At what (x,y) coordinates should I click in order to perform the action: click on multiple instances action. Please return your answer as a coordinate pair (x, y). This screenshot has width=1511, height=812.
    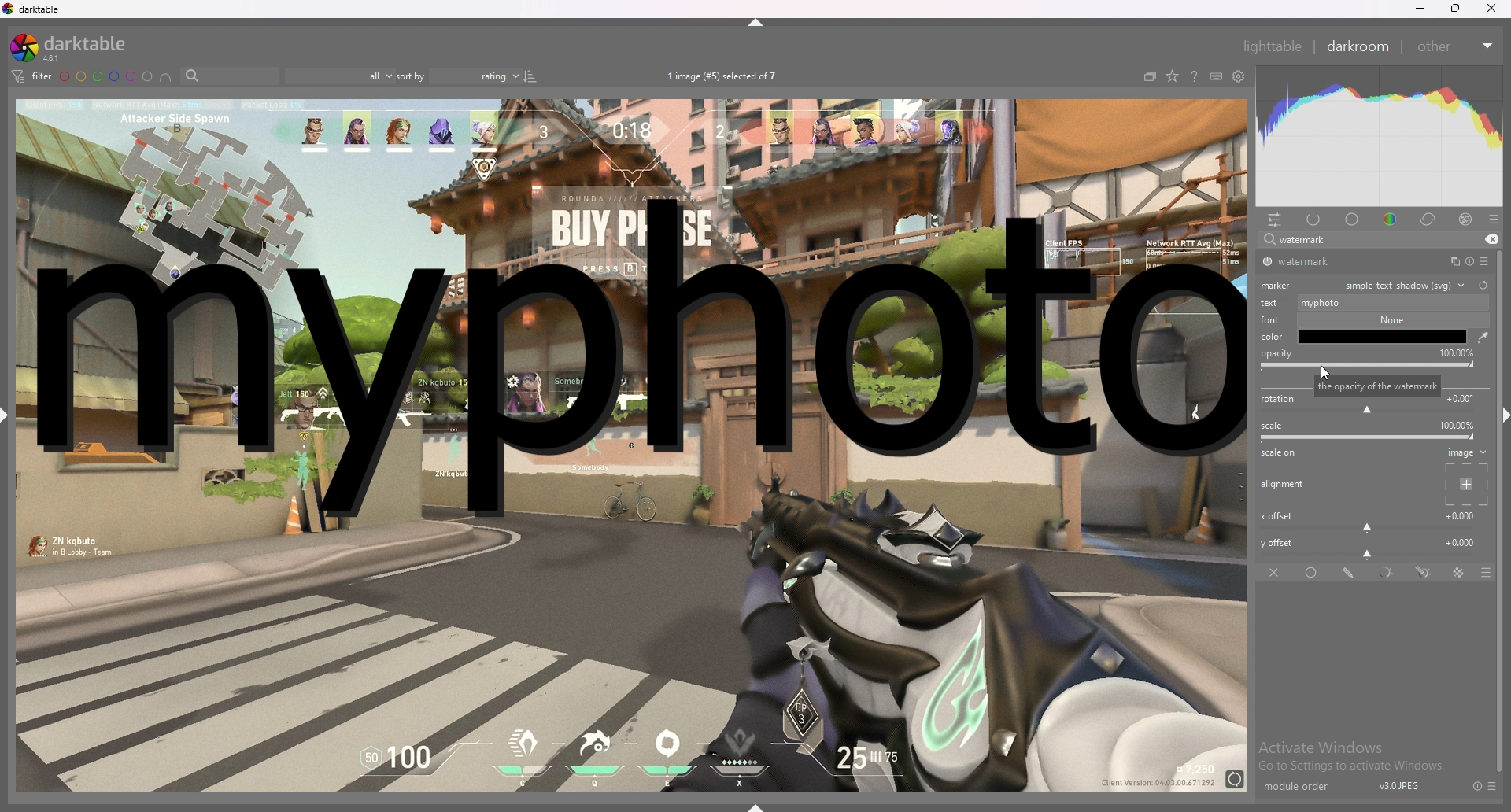
    Looking at the image, I should click on (1450, 262).